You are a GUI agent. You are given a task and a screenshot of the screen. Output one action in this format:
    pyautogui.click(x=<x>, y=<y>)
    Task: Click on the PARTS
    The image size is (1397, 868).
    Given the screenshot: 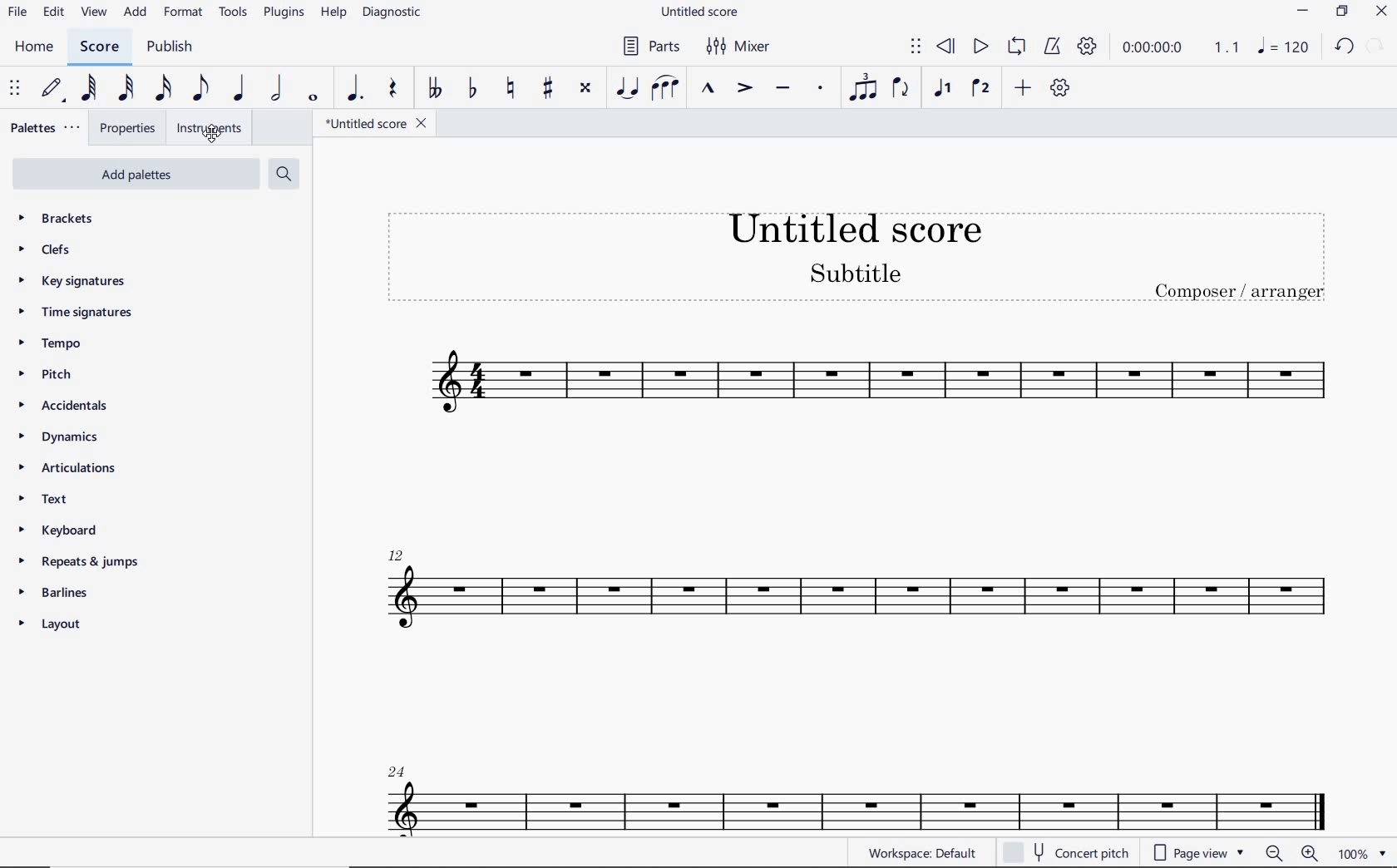 What is the action you would take?
    pyautogui.click(x=652, y=47)
    